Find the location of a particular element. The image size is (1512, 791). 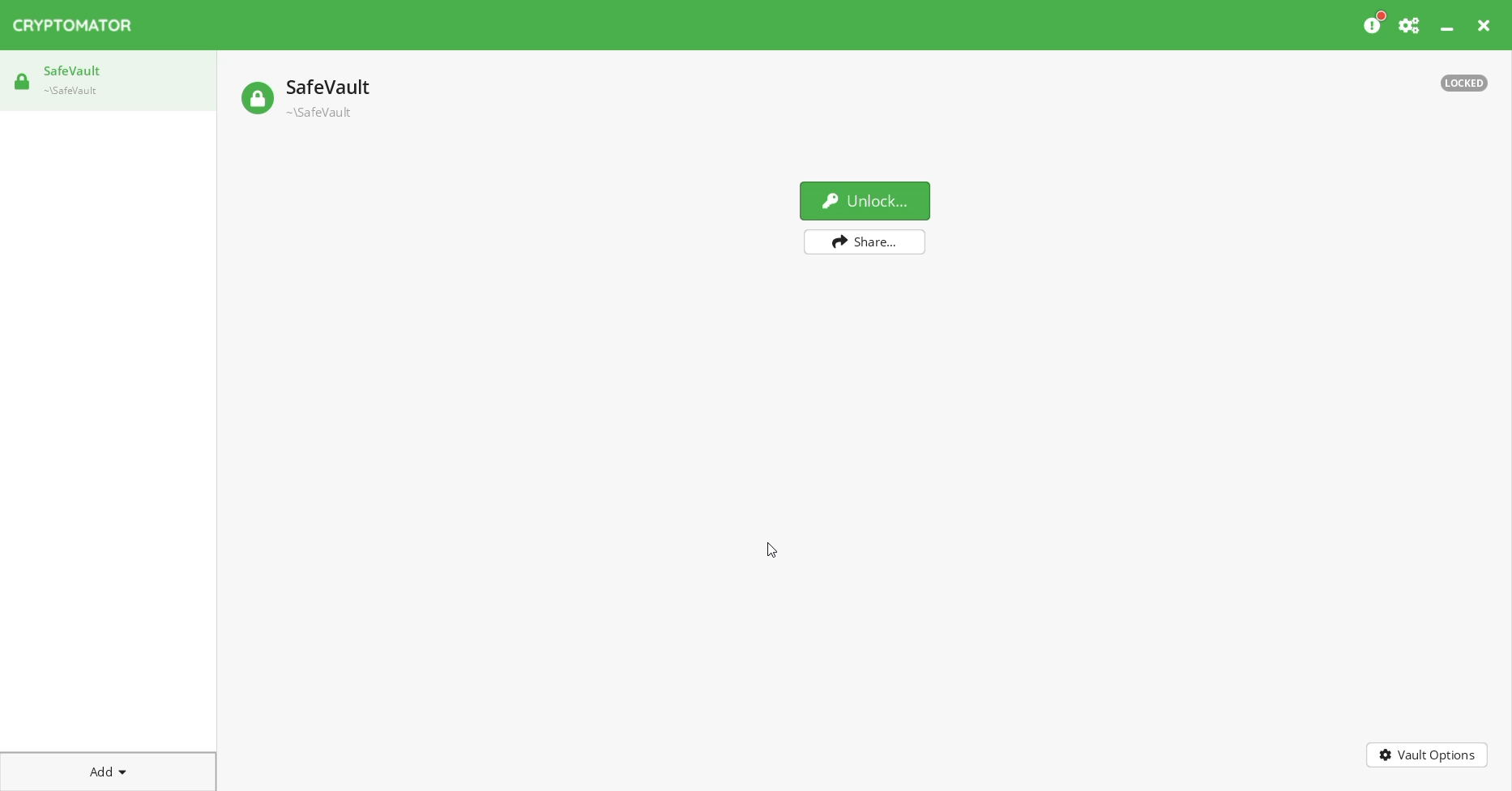

CRYPTOMATOR Application Name is located at coordinates (80, 25).